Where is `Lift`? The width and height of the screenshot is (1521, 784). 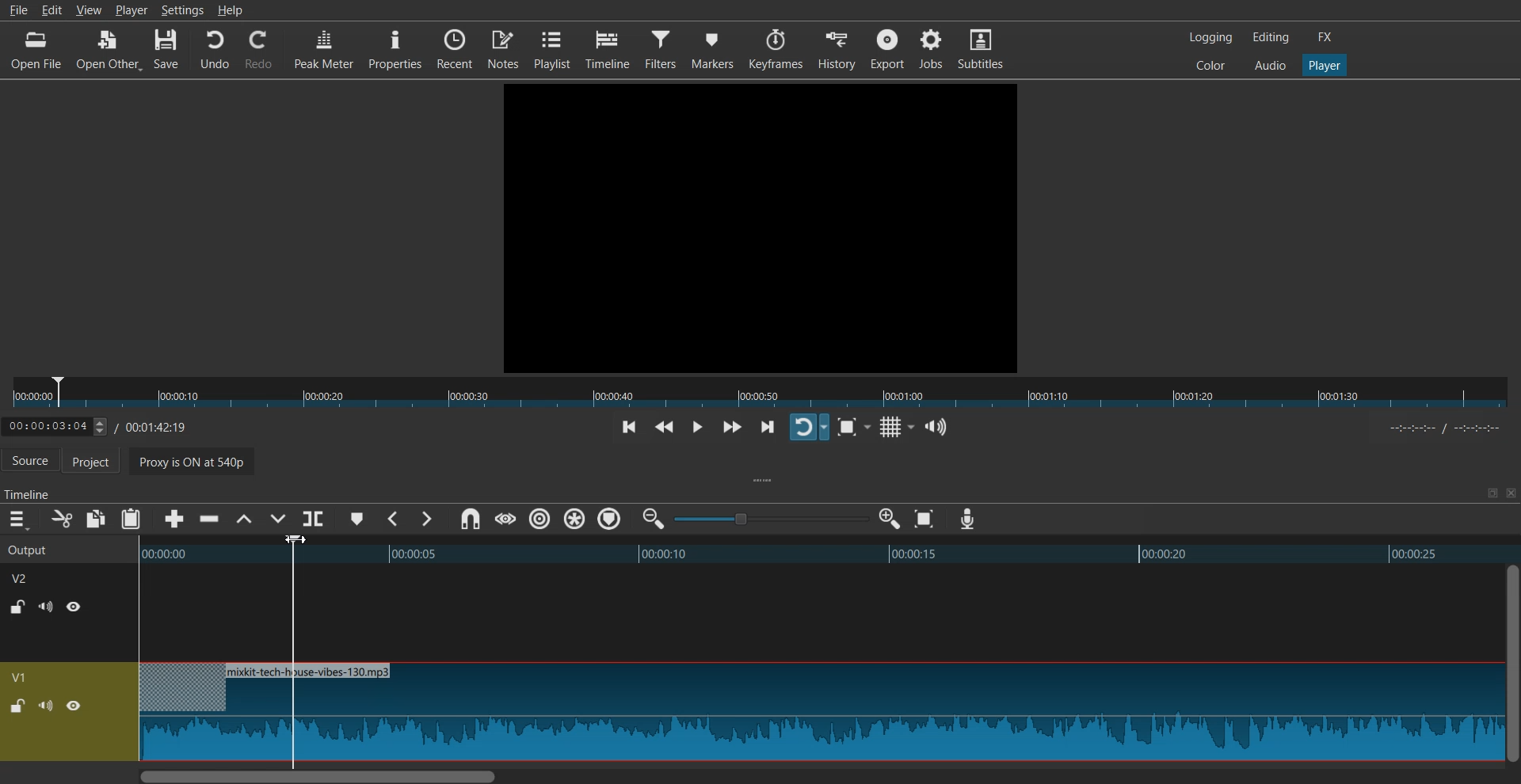 Lift is located at coordinates (243, 519).